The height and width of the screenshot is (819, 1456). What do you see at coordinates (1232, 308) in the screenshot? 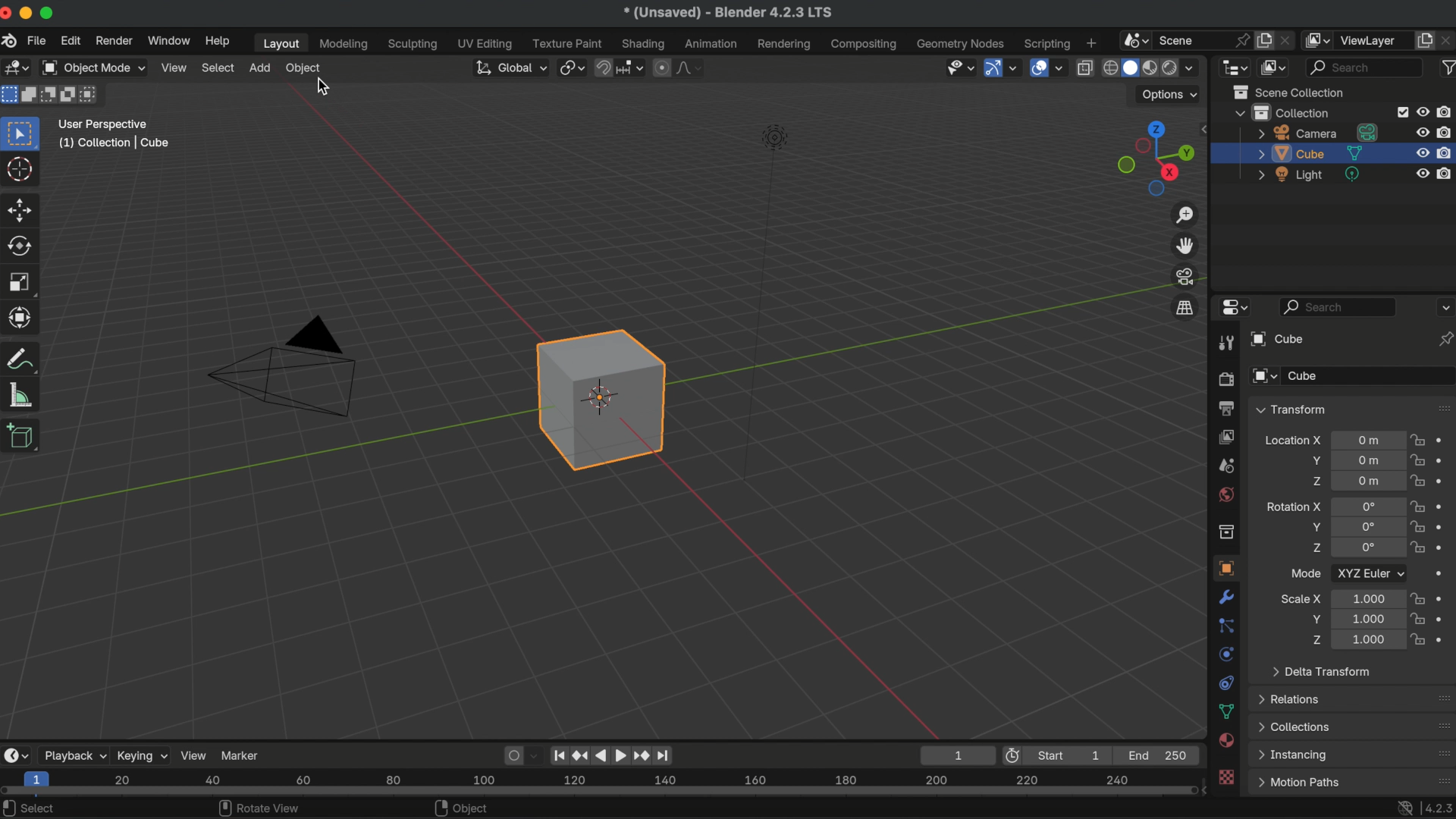
I see `editor type` at bounding box center [1232, 308].